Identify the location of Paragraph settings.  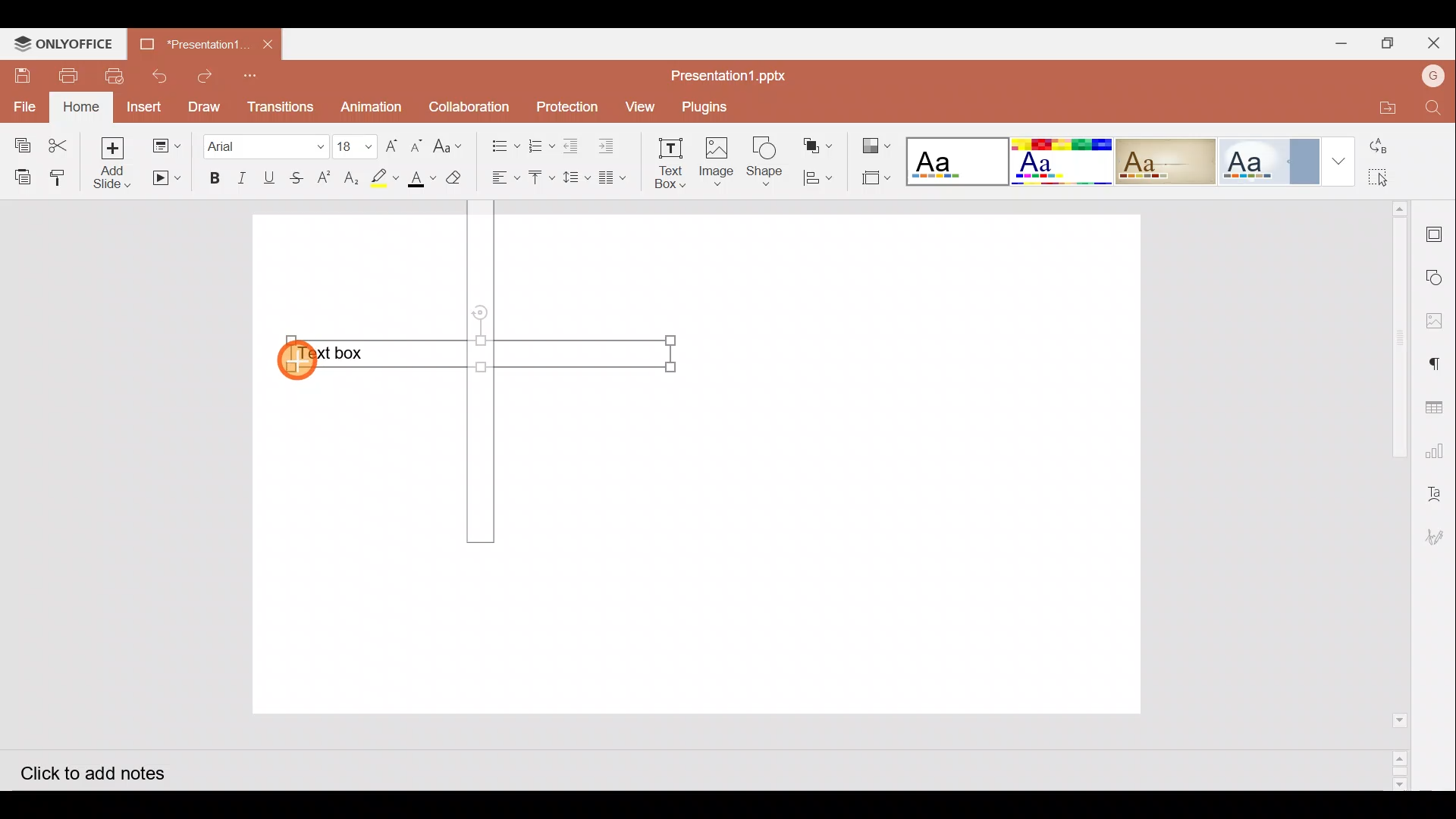
(1441, 362).